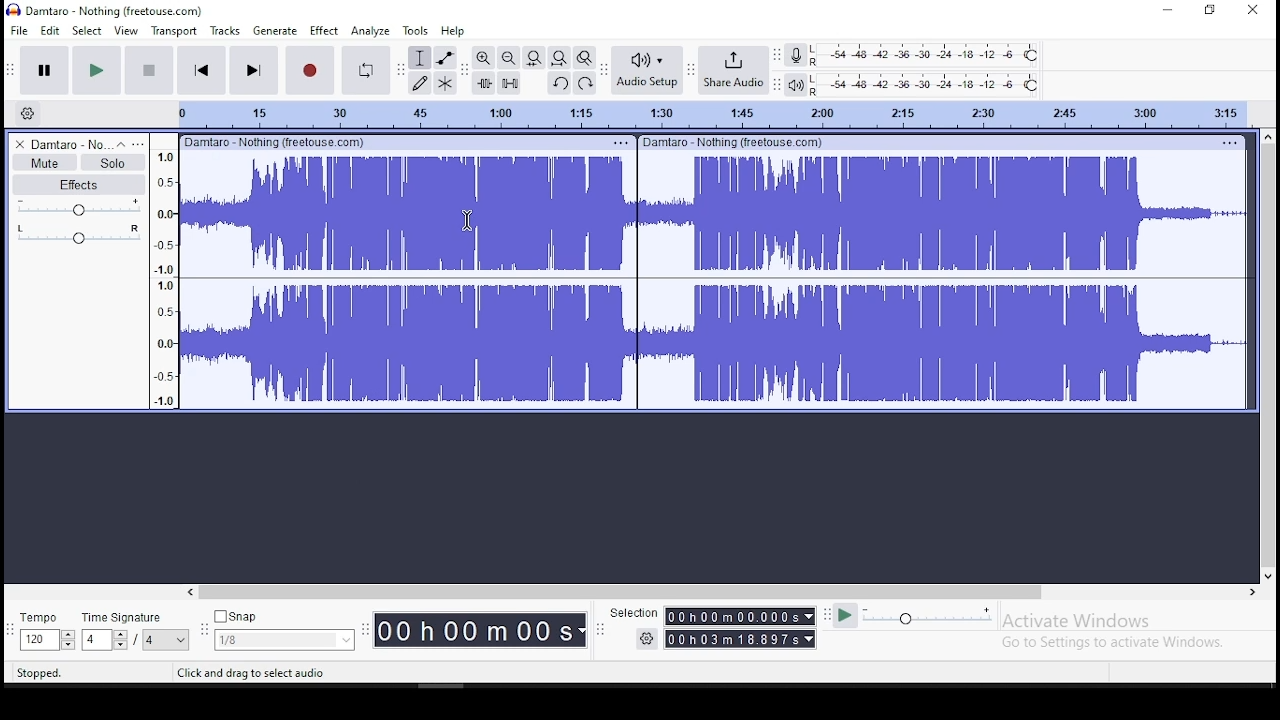  What do you see at coordinates (535, 56) in the screenshot?
I see `fit project to width` at bounding box center [535, 56].